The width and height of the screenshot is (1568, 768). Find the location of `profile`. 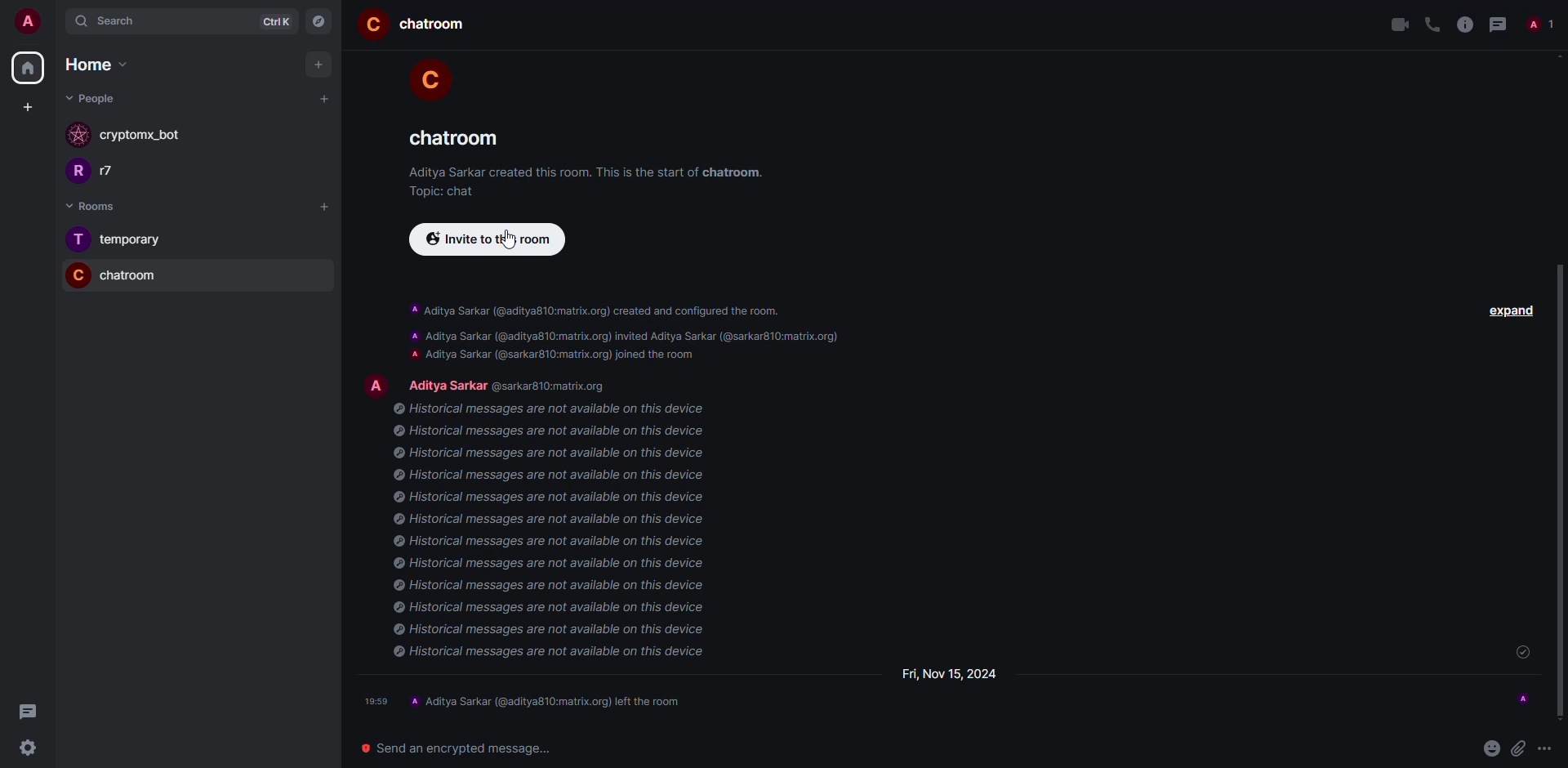

profile is located at coordinates (372, 25).